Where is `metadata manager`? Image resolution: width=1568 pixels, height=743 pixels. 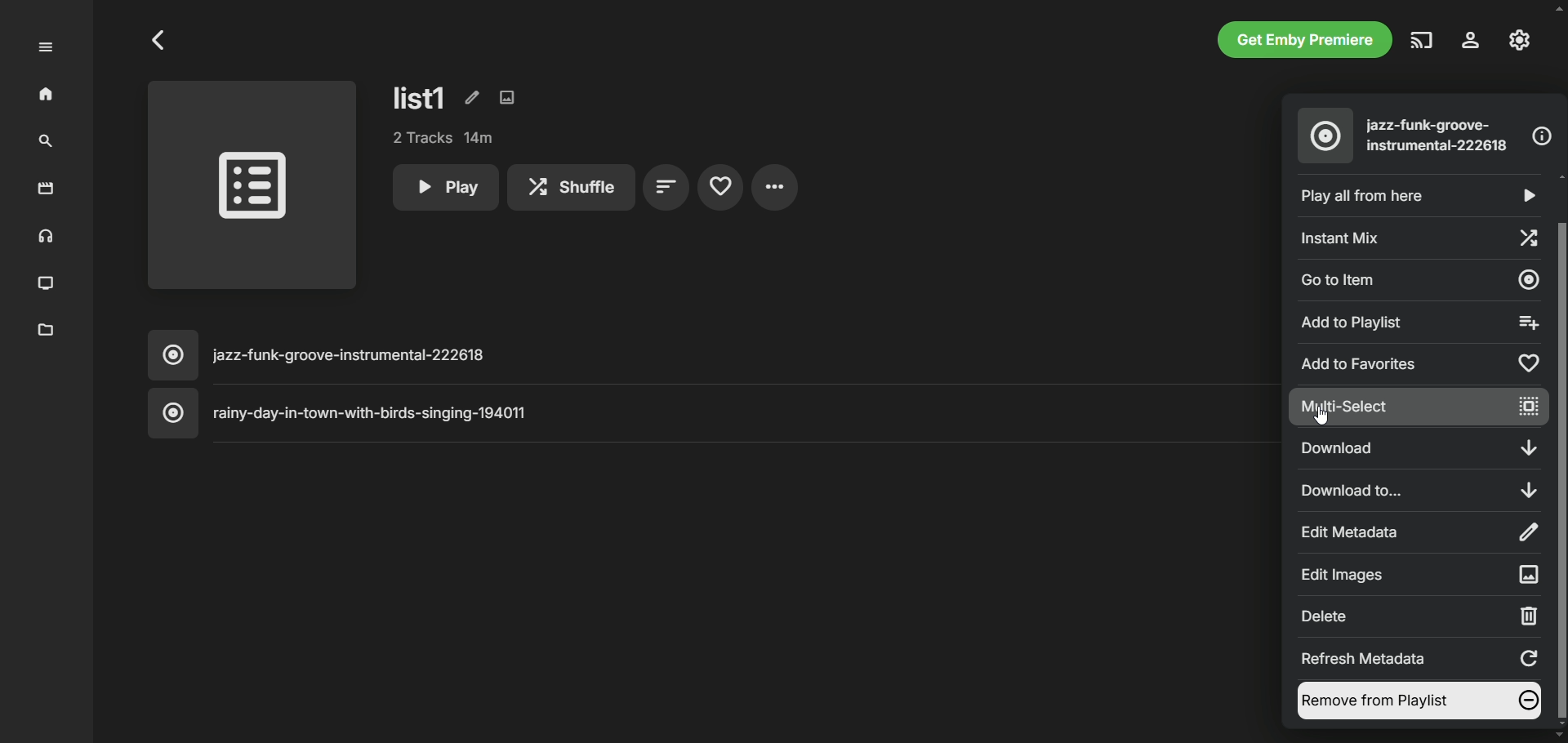
metadata manager is located at coordinates (47, 331).